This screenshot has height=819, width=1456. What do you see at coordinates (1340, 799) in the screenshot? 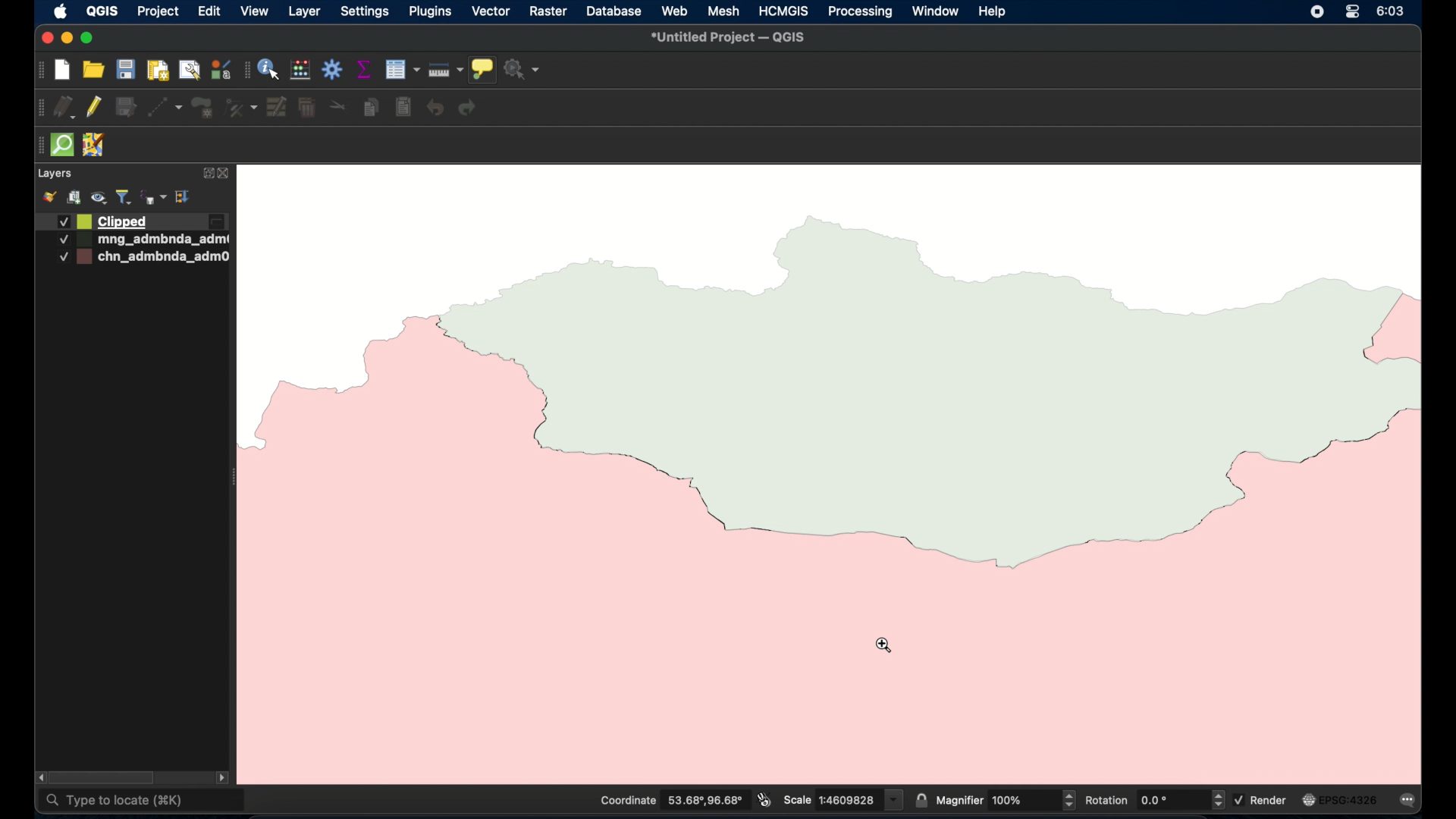
I see `current crs` at bounding box center [1340, 799].